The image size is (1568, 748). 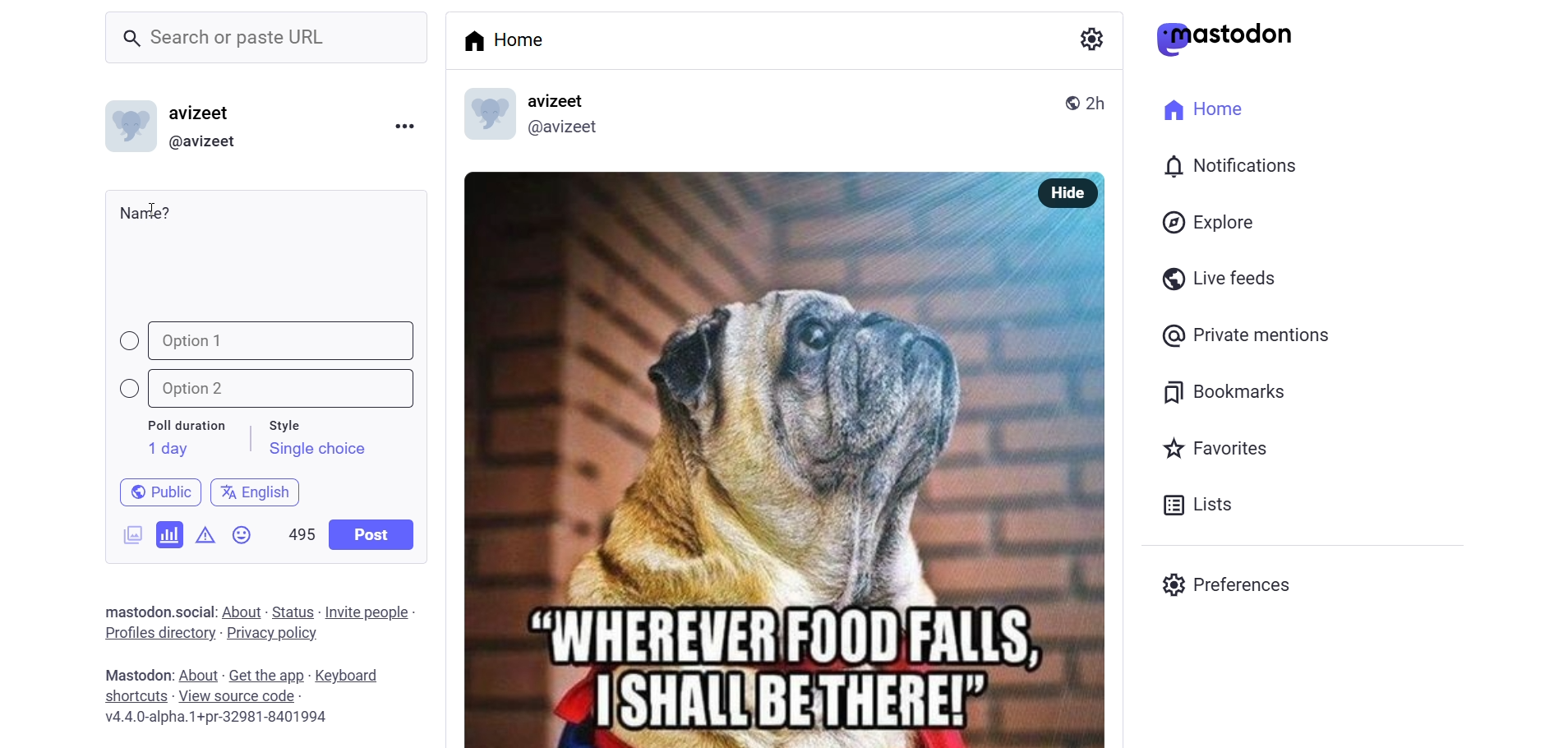 What do you see at coordinates (1211, 222) in the screenshot?
I see `explore` at bounding box center [1211, 222].